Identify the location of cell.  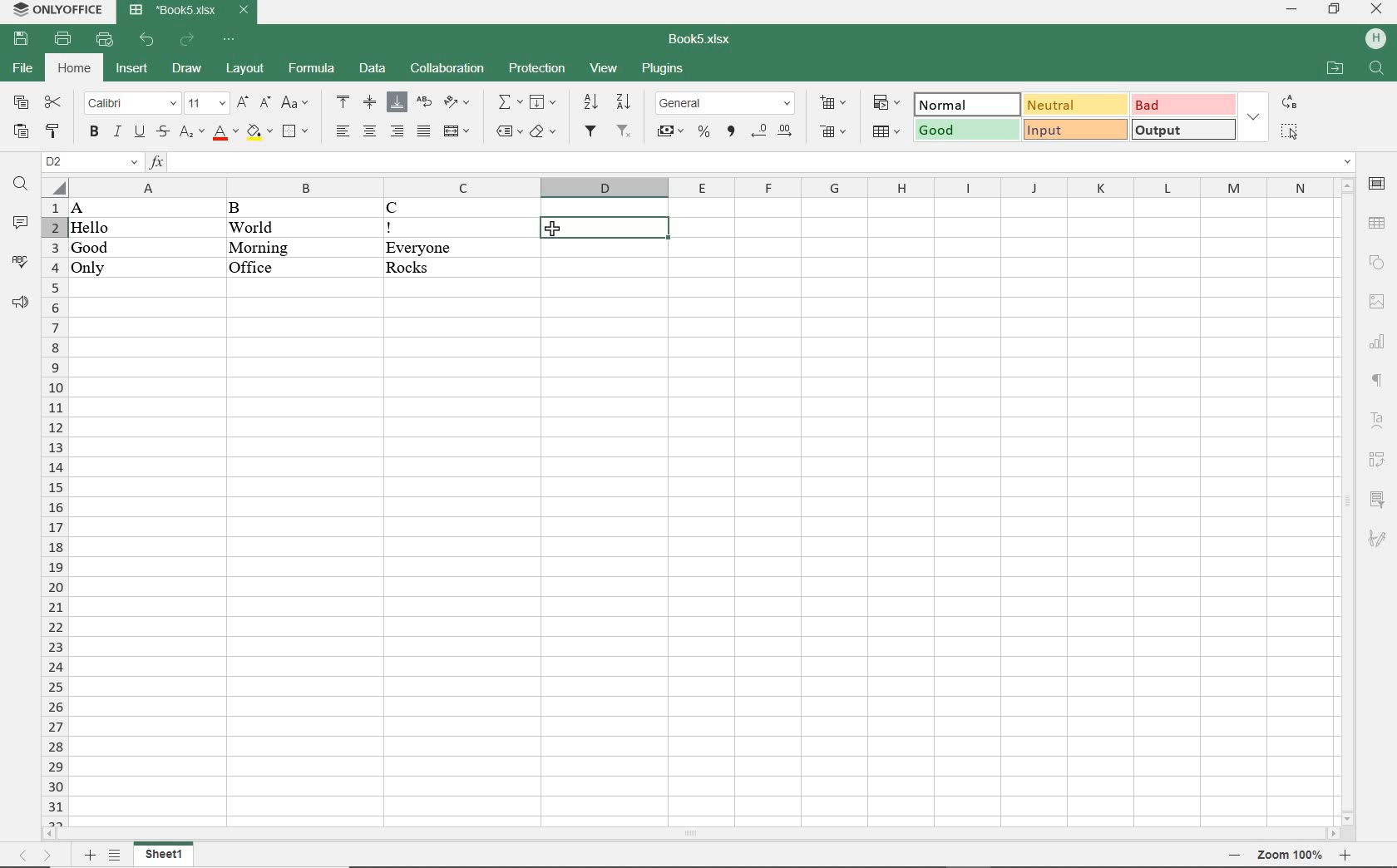
(604, 227).